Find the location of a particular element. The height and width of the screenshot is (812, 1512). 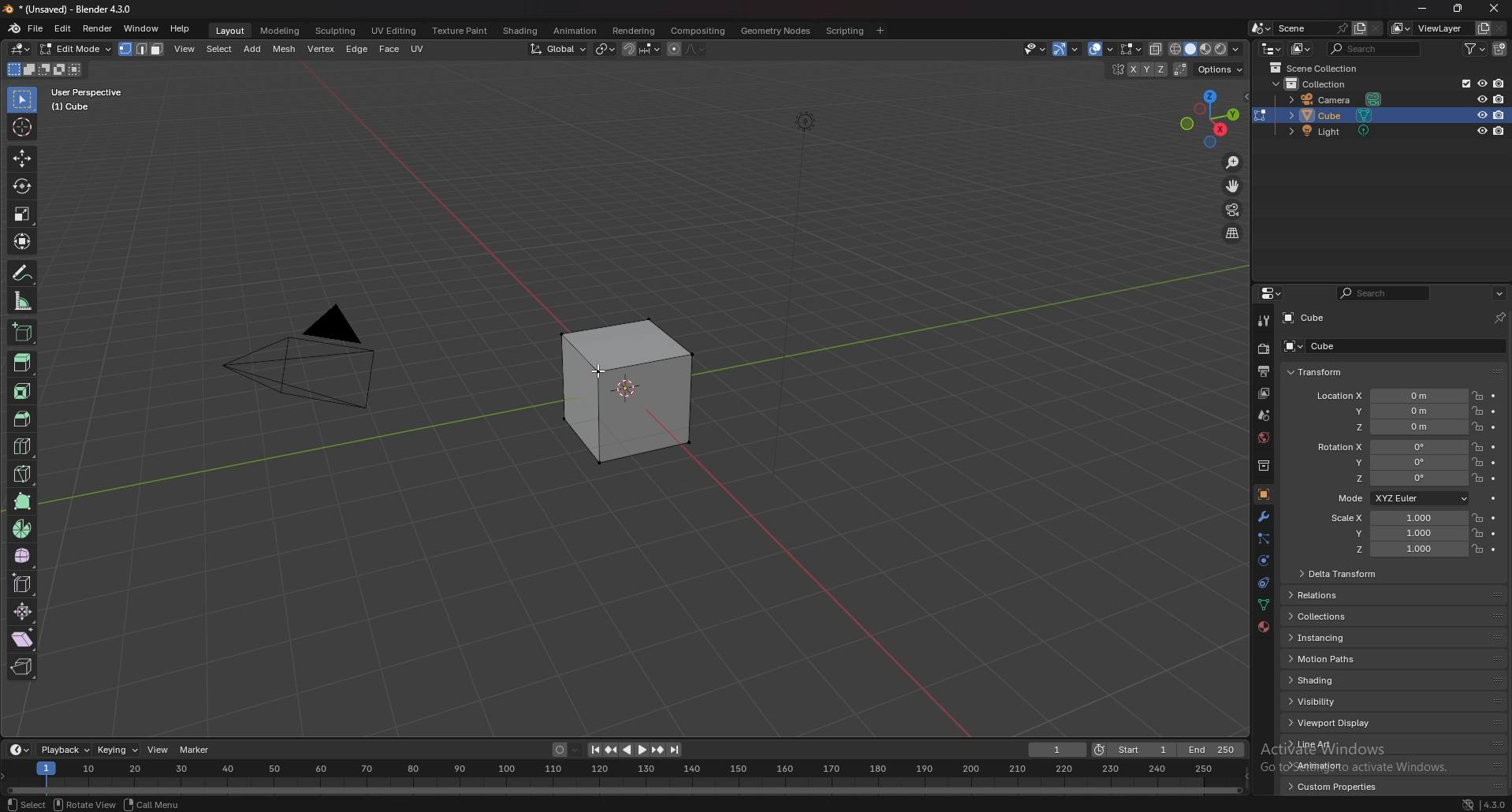

inset faces is located at coordinates (22, 393).